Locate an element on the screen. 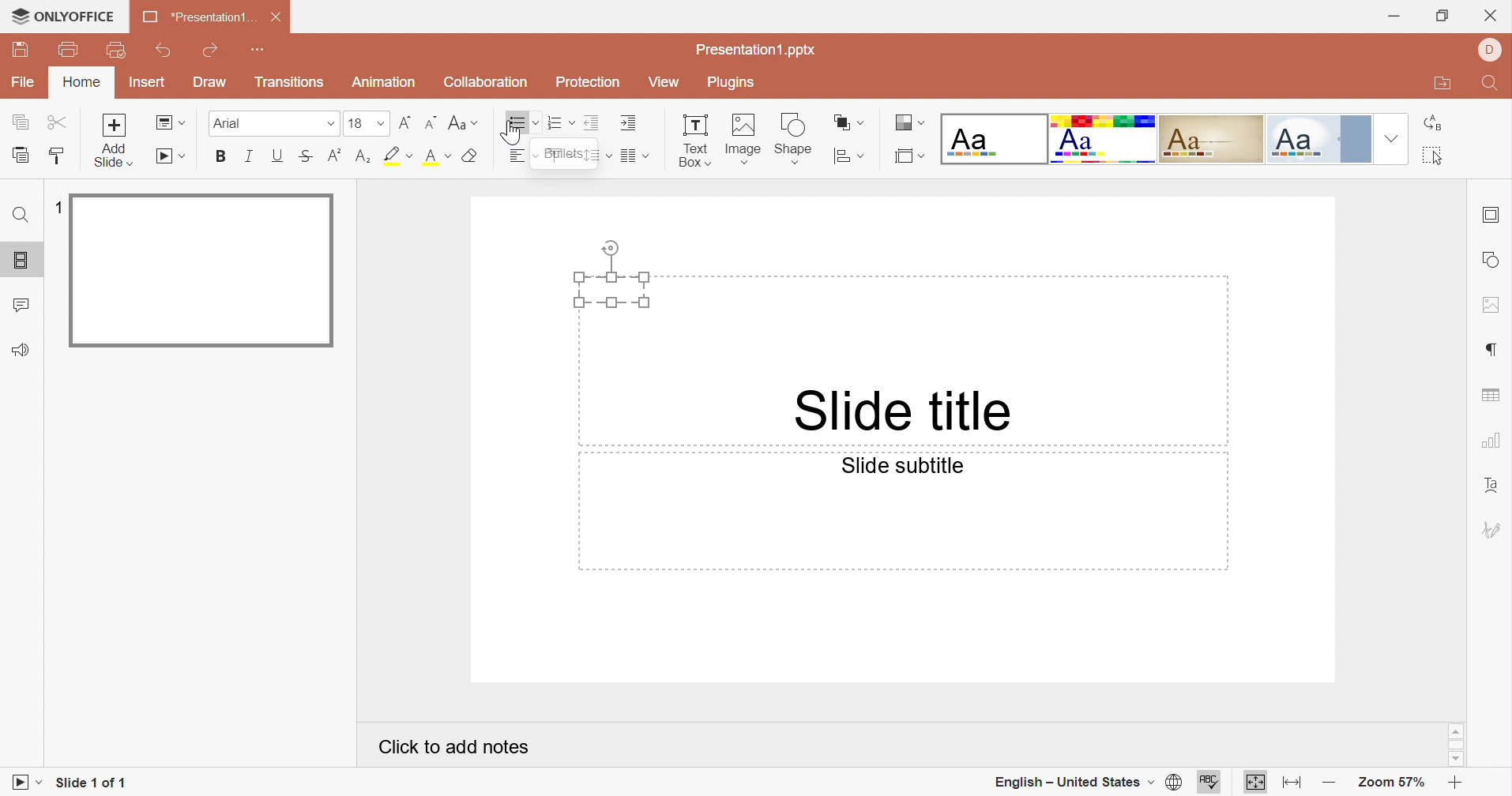 The width and height of the screenshot is (1512, 796). Slide is located at coordinates (204, 272).